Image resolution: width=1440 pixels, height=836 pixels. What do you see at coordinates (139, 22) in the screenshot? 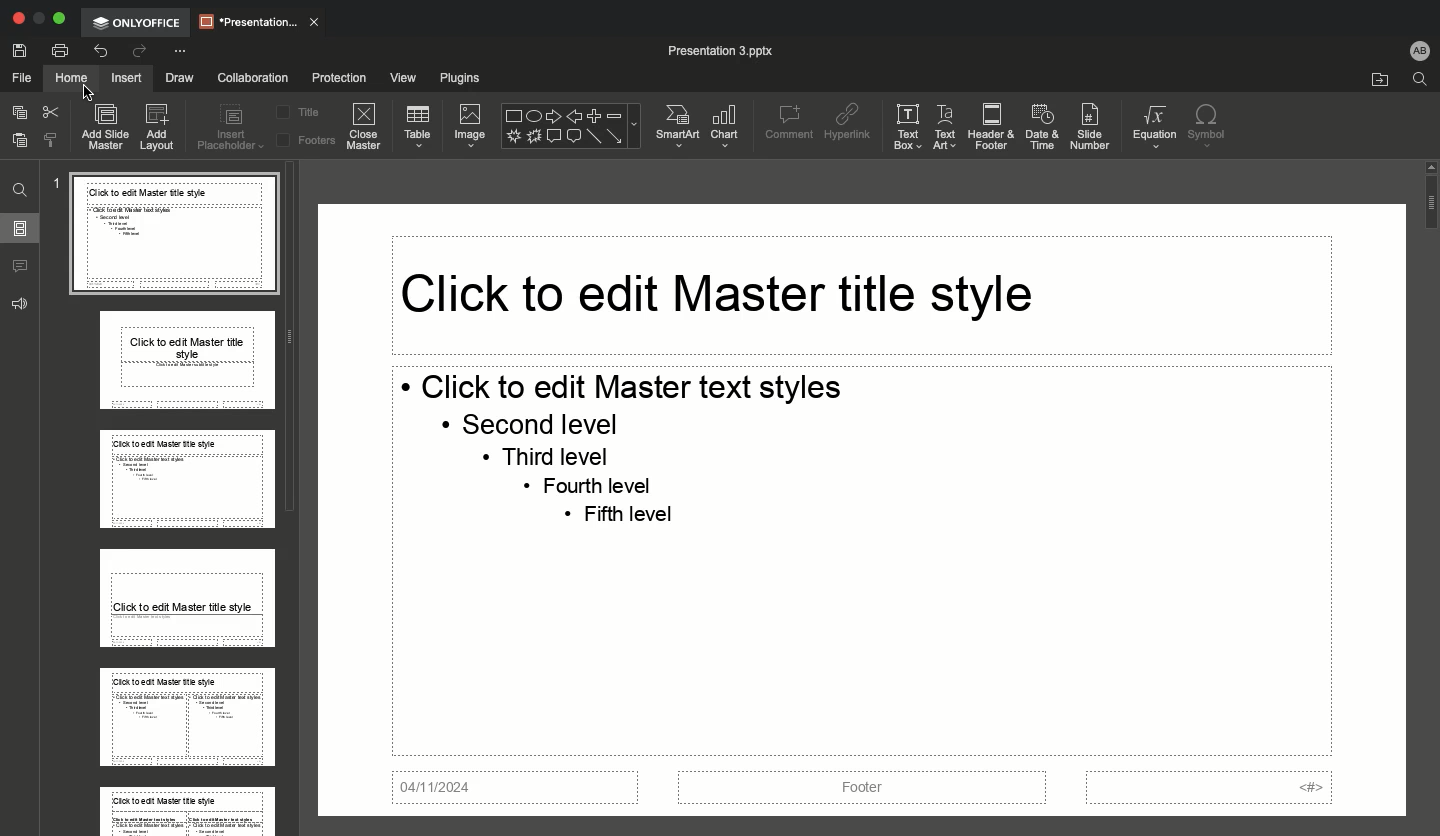
I see `OnlyOffice` at bounding box center [139, 22].